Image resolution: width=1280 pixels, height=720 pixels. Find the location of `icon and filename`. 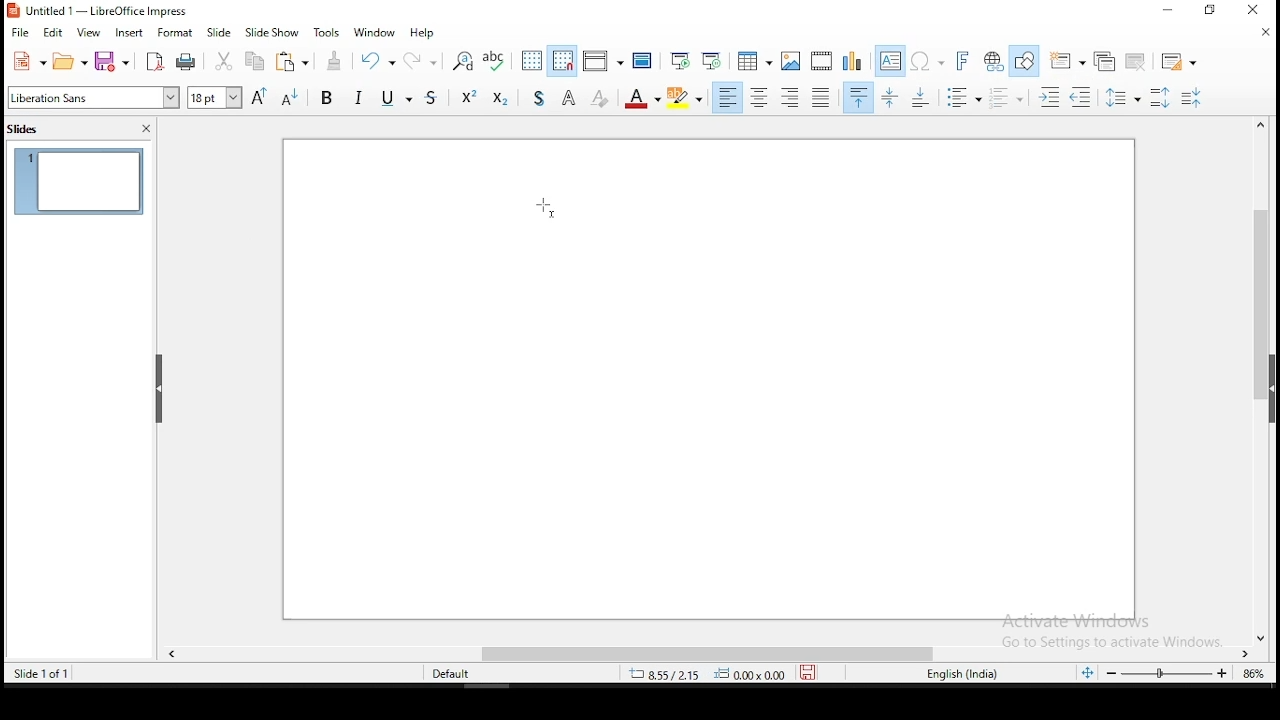

icon and filename is located at coordinates (104, 12).